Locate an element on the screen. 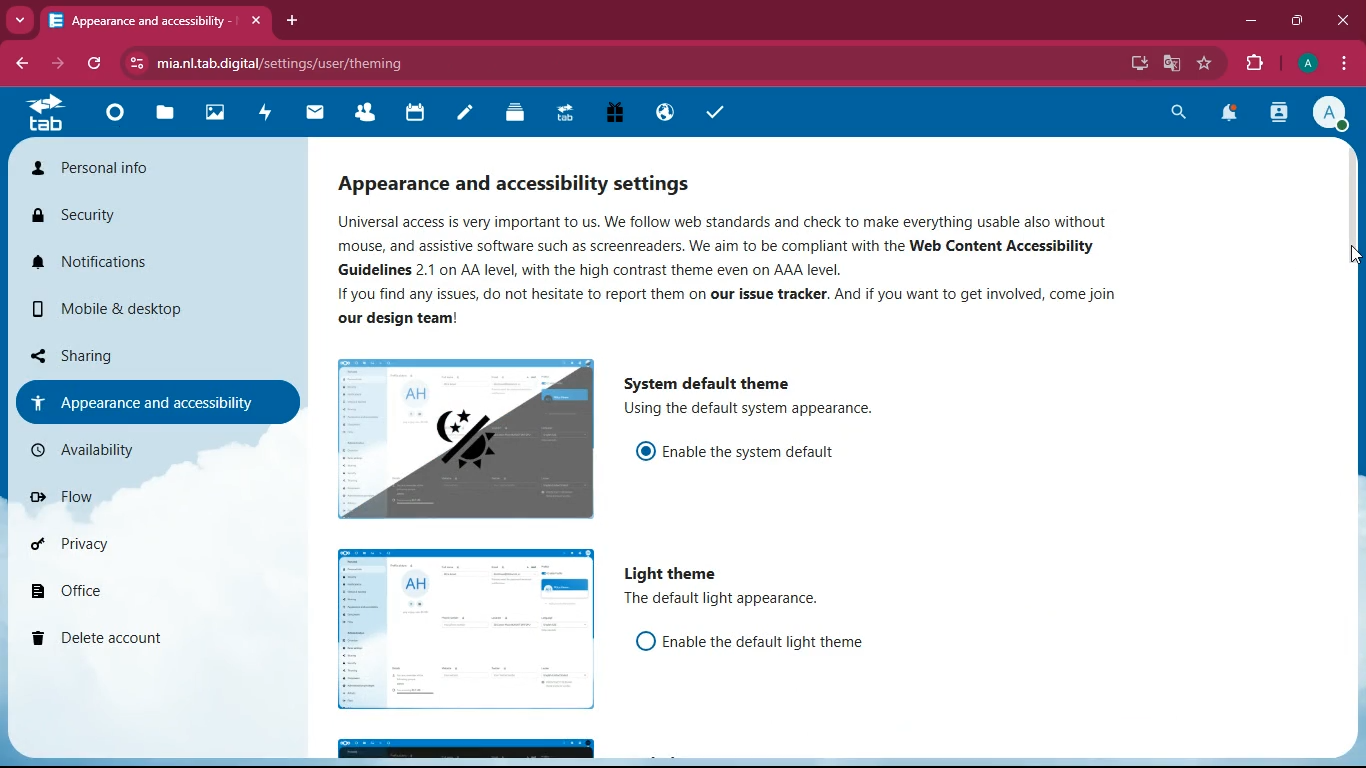  friends is located at coordinates (371, 112).